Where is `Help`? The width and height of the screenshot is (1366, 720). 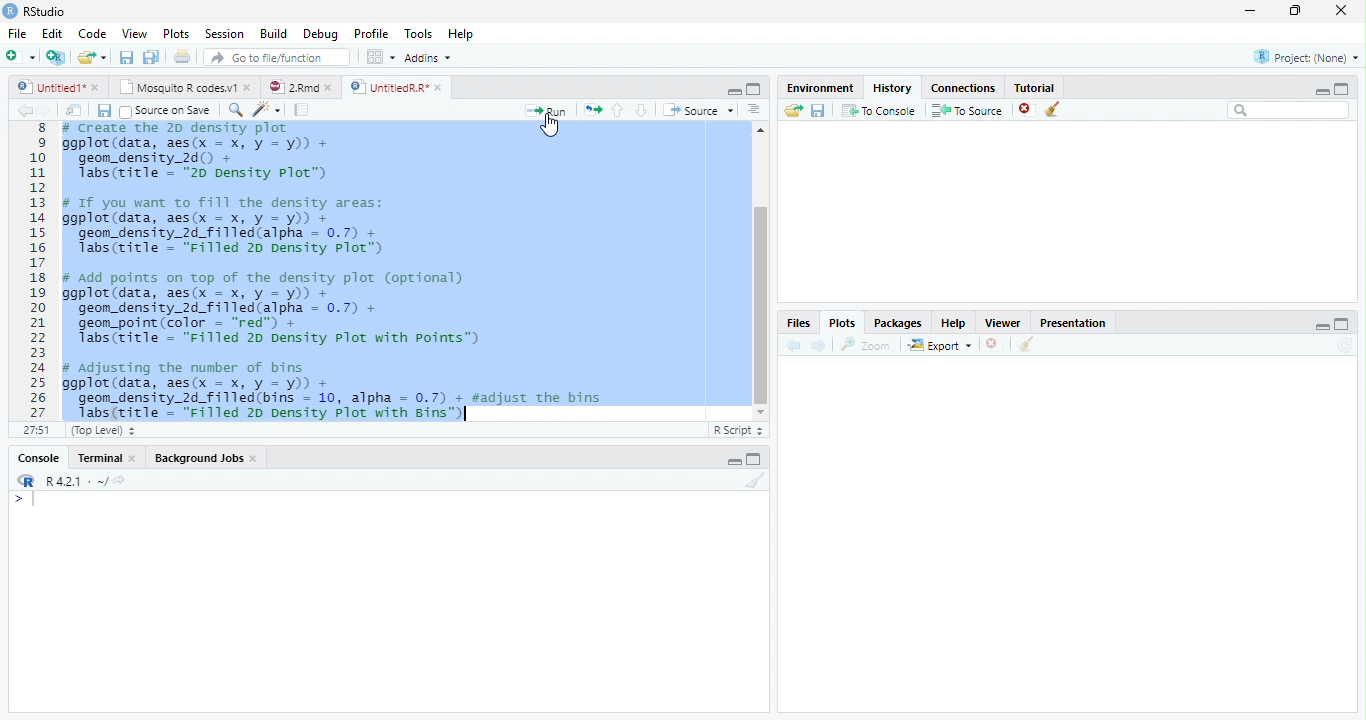
Help is located at coordinates (953, 325).